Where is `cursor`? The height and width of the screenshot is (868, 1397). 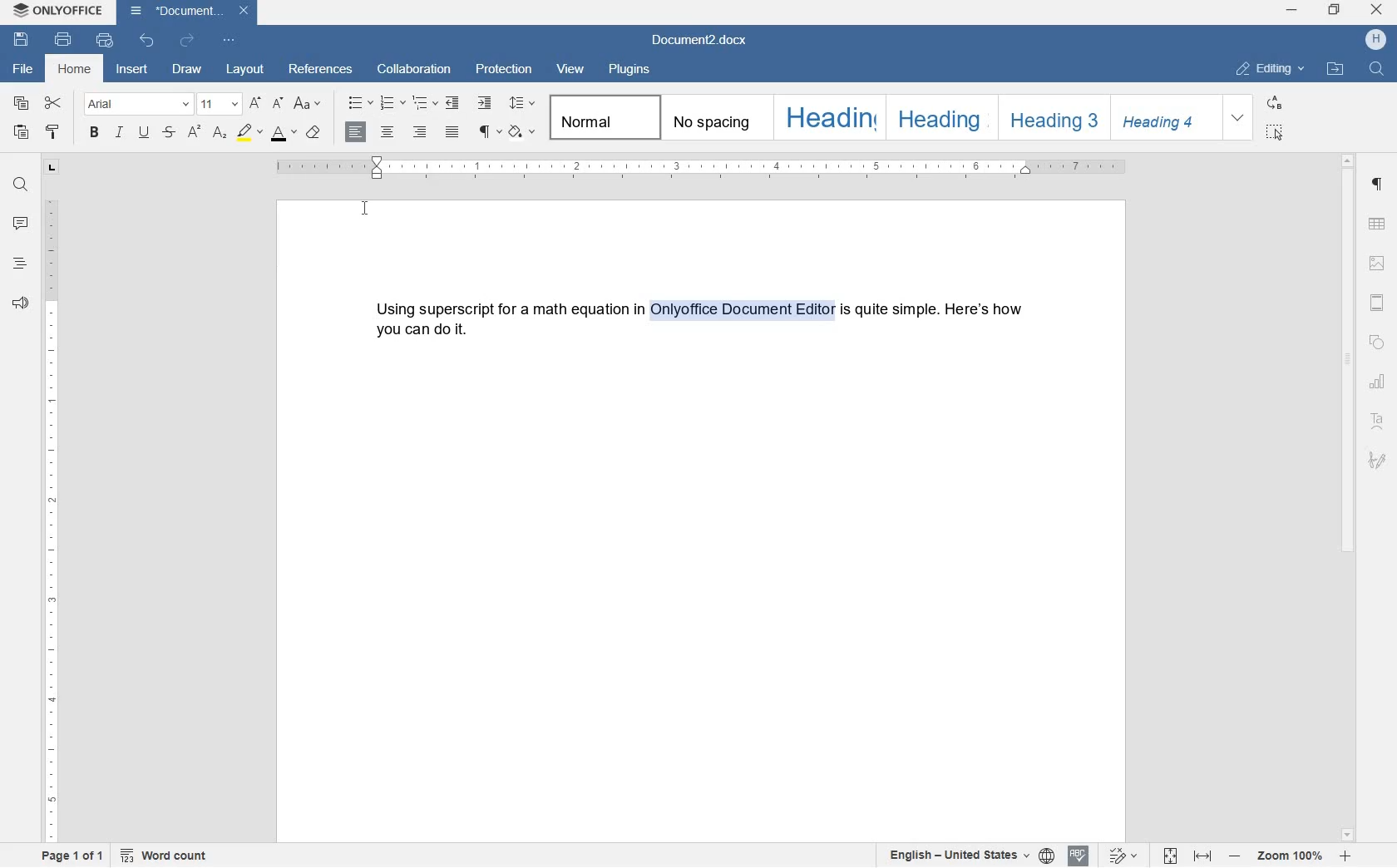 cursor is located at coordinates (364, 211).